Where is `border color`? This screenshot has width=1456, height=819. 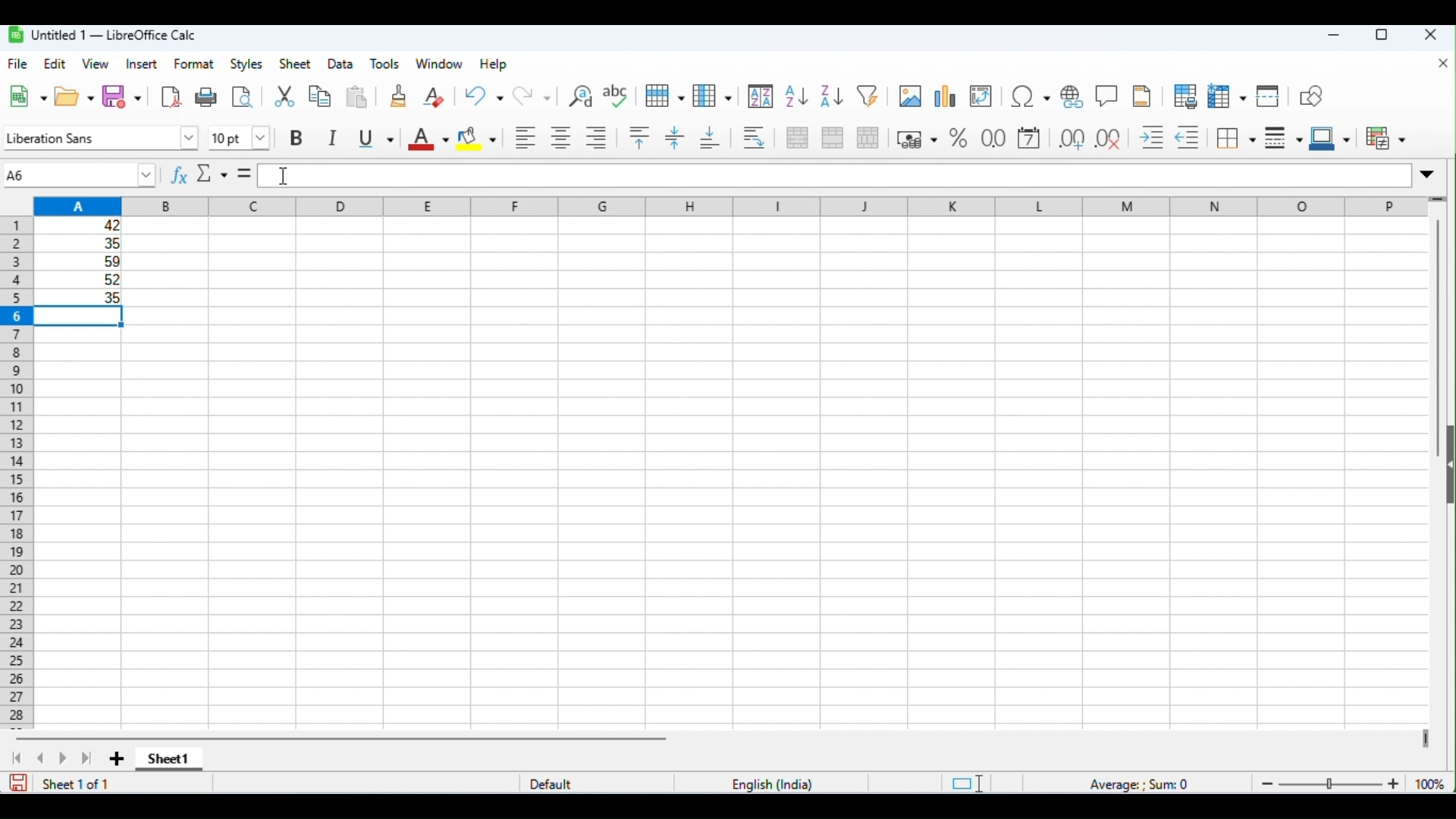
border color is located at coordinates (1329, 140).